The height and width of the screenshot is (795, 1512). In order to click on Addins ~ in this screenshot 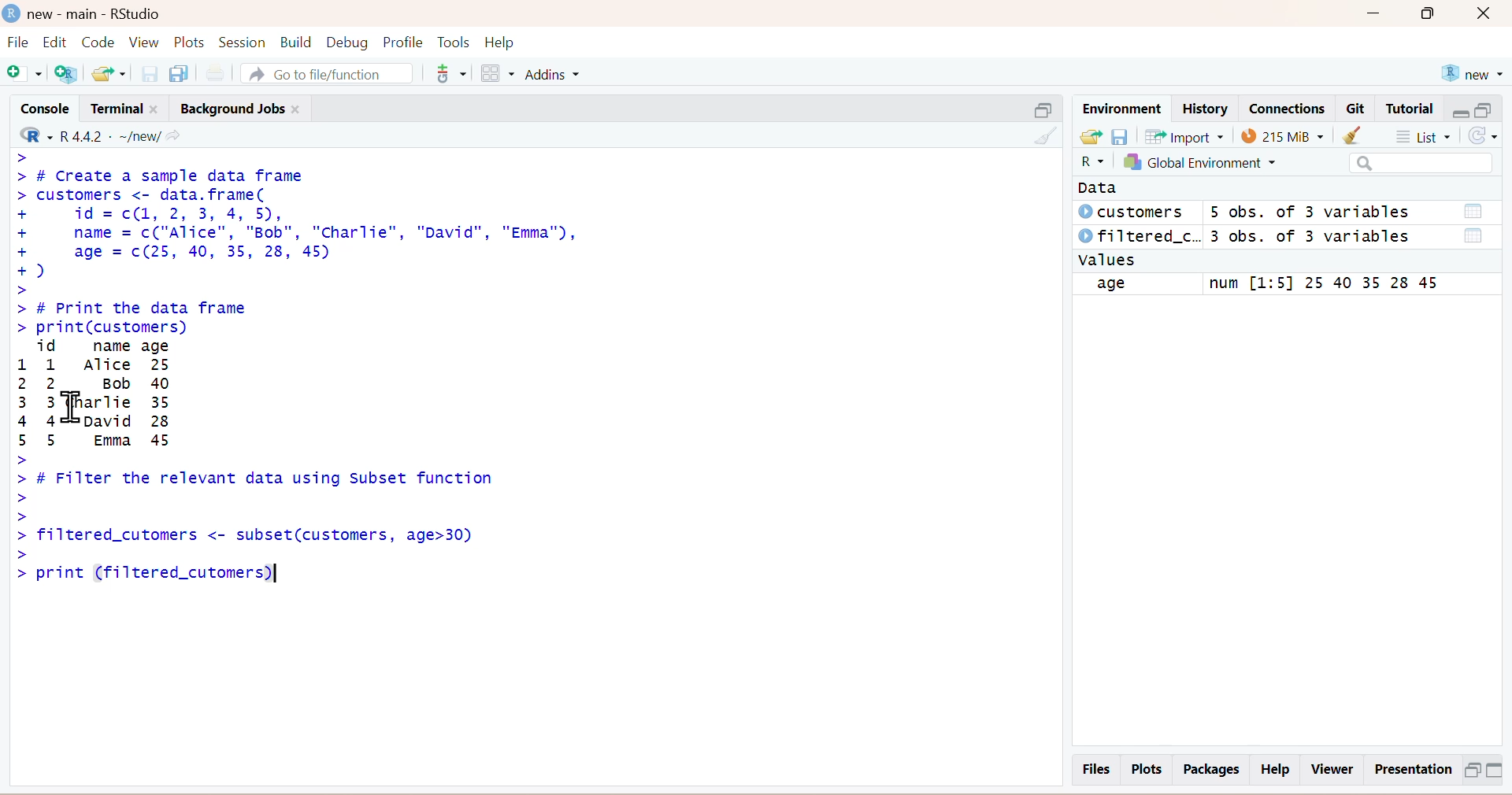, I will do `click(554, 75)`.